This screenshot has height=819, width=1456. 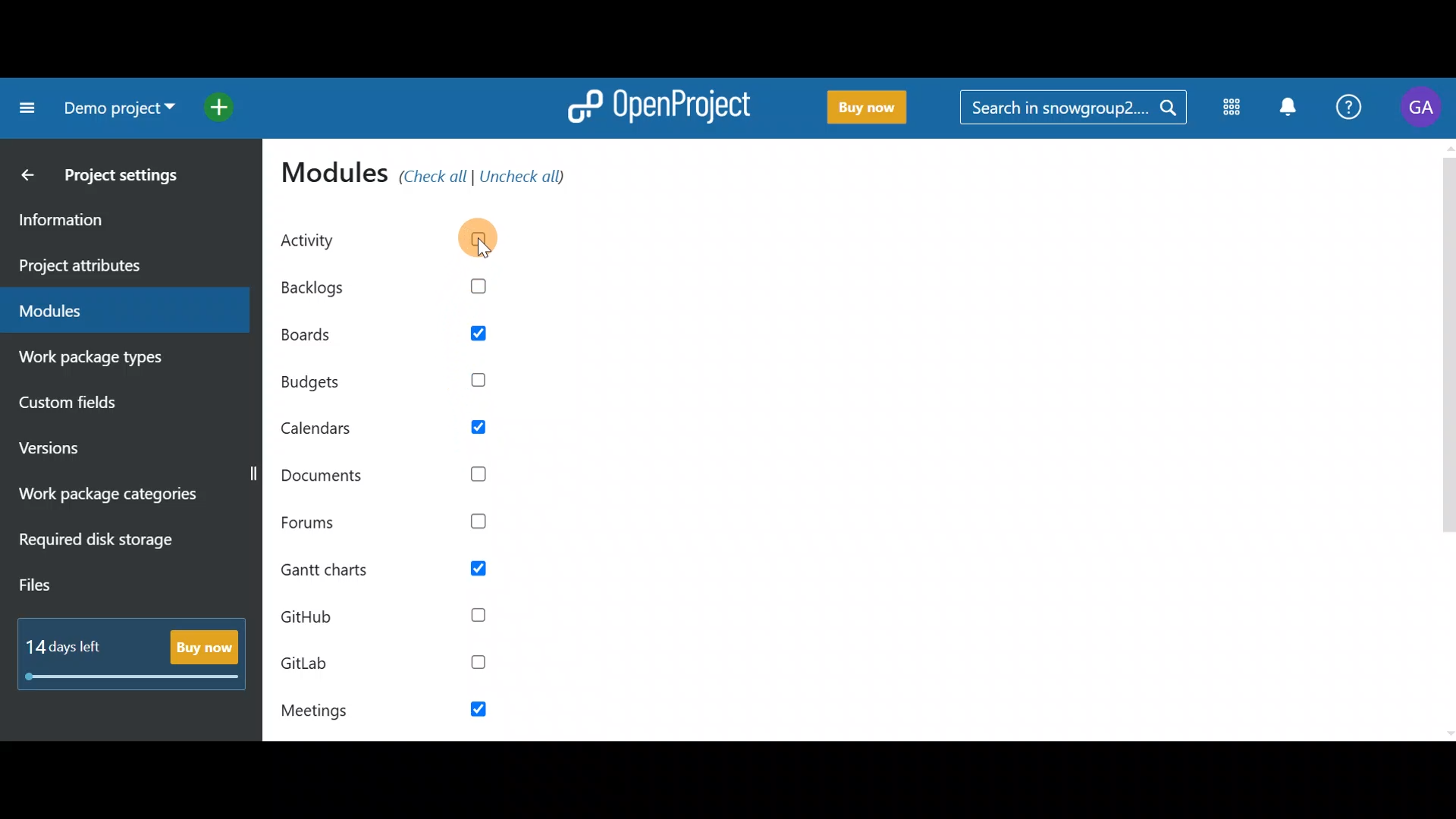 I want to click on Scroll bar, so click(x=1446, y=439).